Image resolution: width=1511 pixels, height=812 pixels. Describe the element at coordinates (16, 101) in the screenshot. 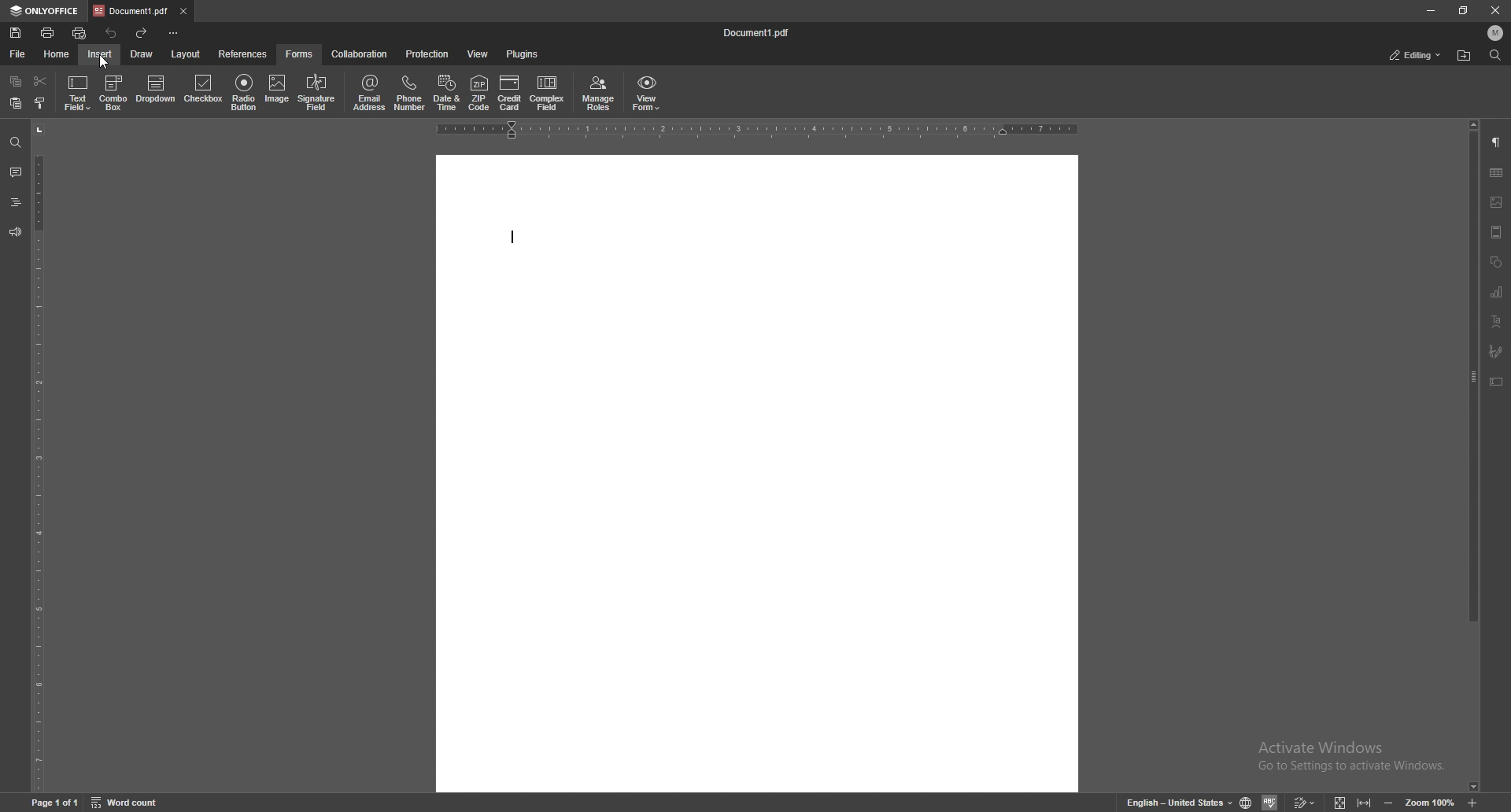

I see `paste` at that location.